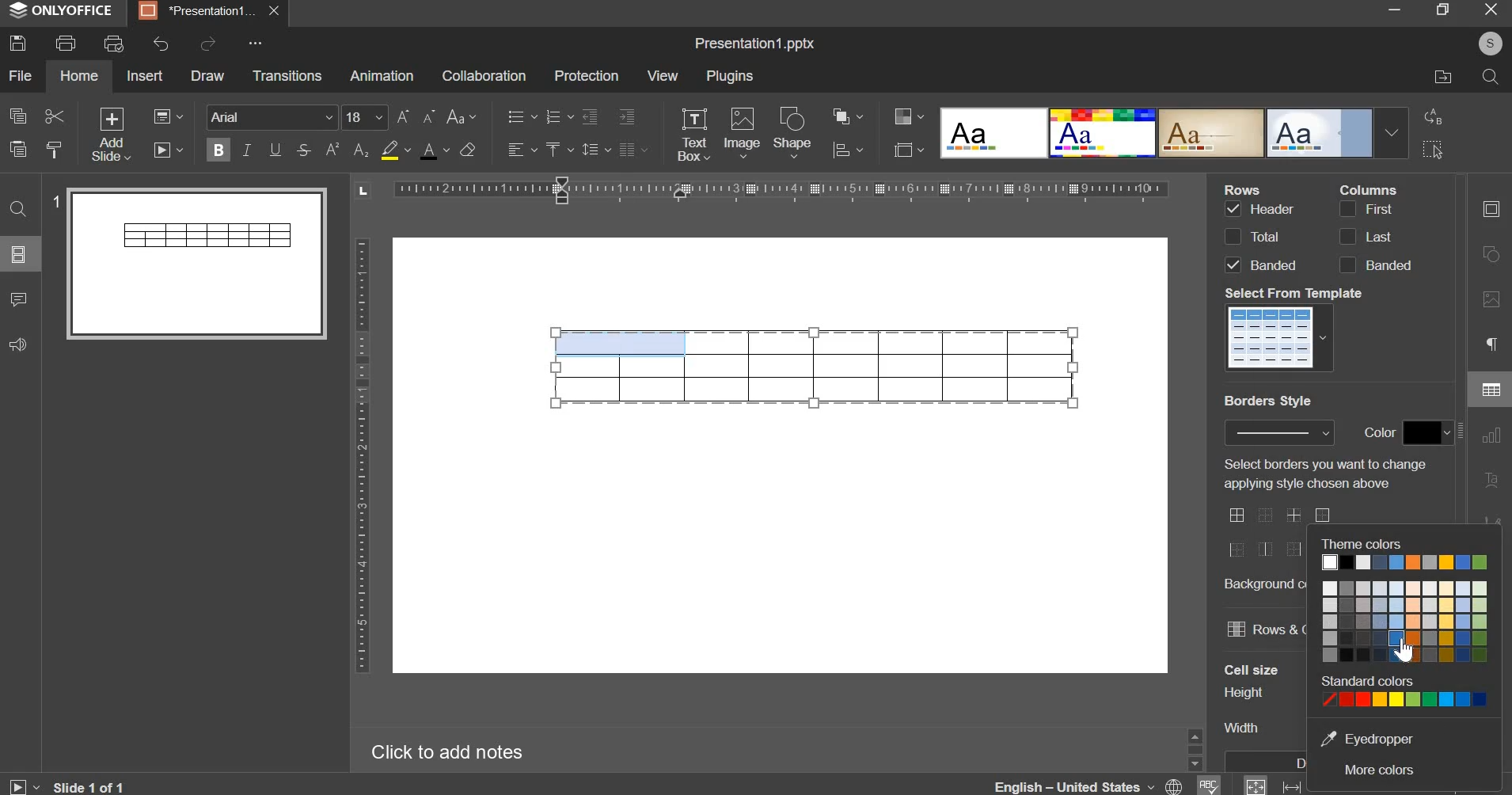  Describe the element at coordinates (1173, 131) in the screenshot. I see `design` at that location.